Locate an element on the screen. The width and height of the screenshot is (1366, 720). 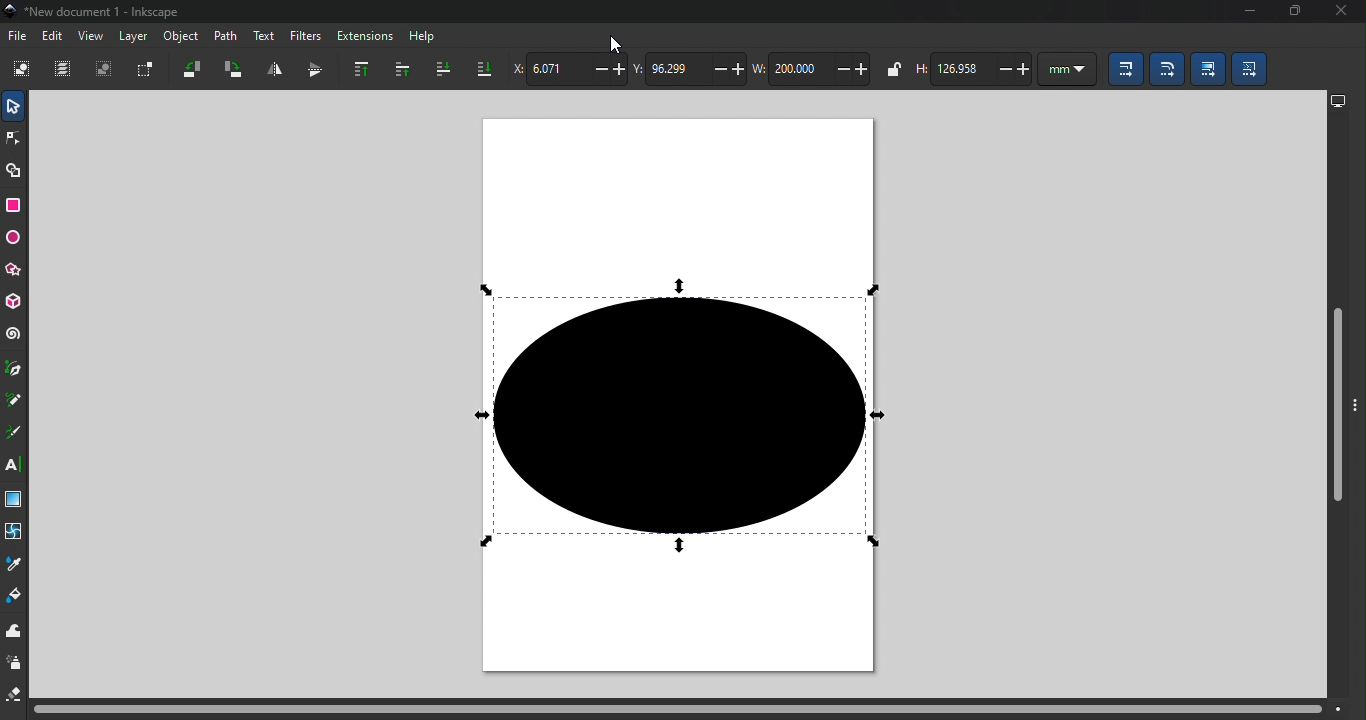
File is located at coordinates (17, 37).